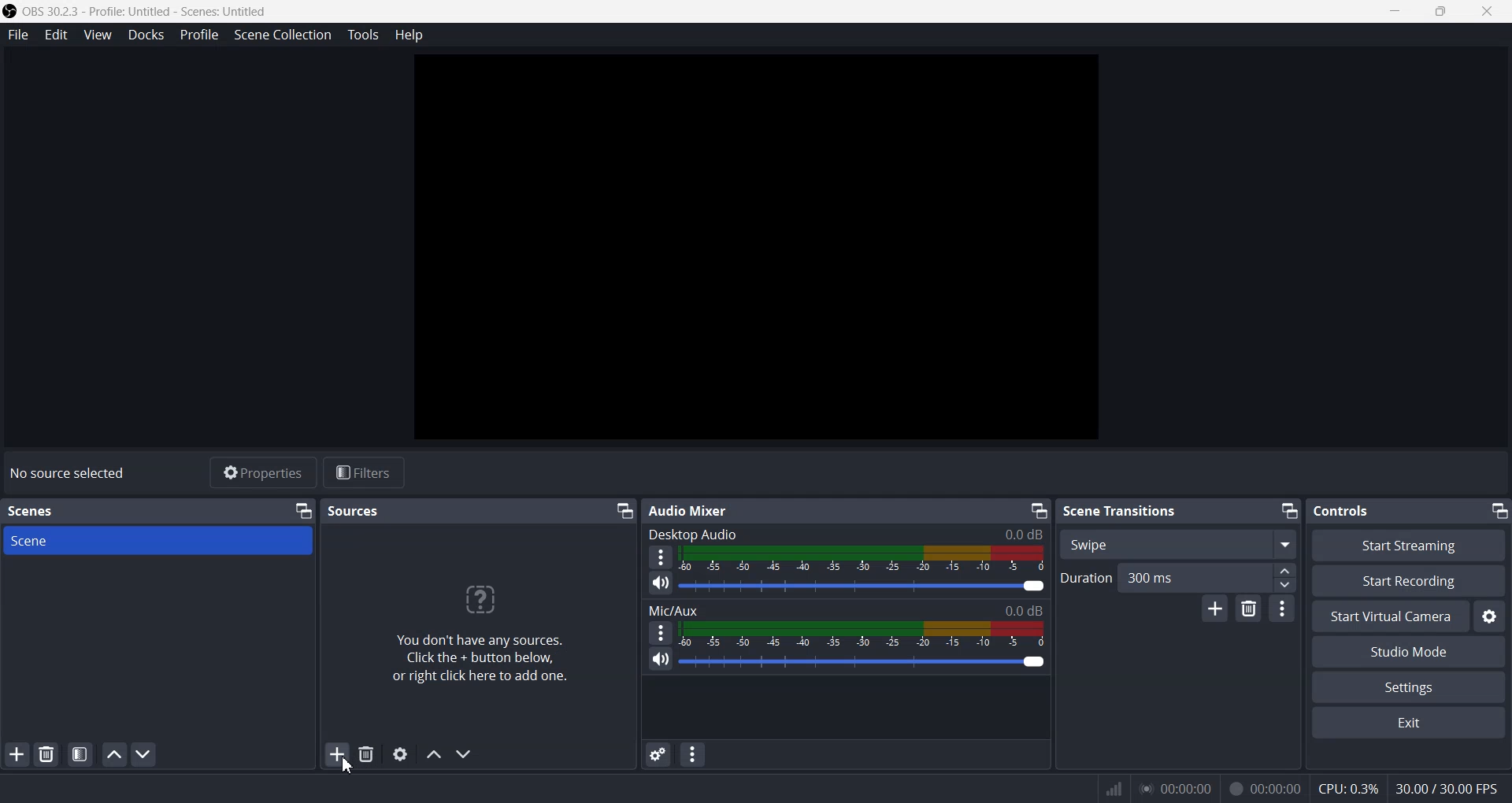 Image resolution: width=1512 pixels, height=803 pixels. What do you see at coordinates (113, 754) in the screenshot?
I see `Move scene Up` at bounding box center [113, 754].